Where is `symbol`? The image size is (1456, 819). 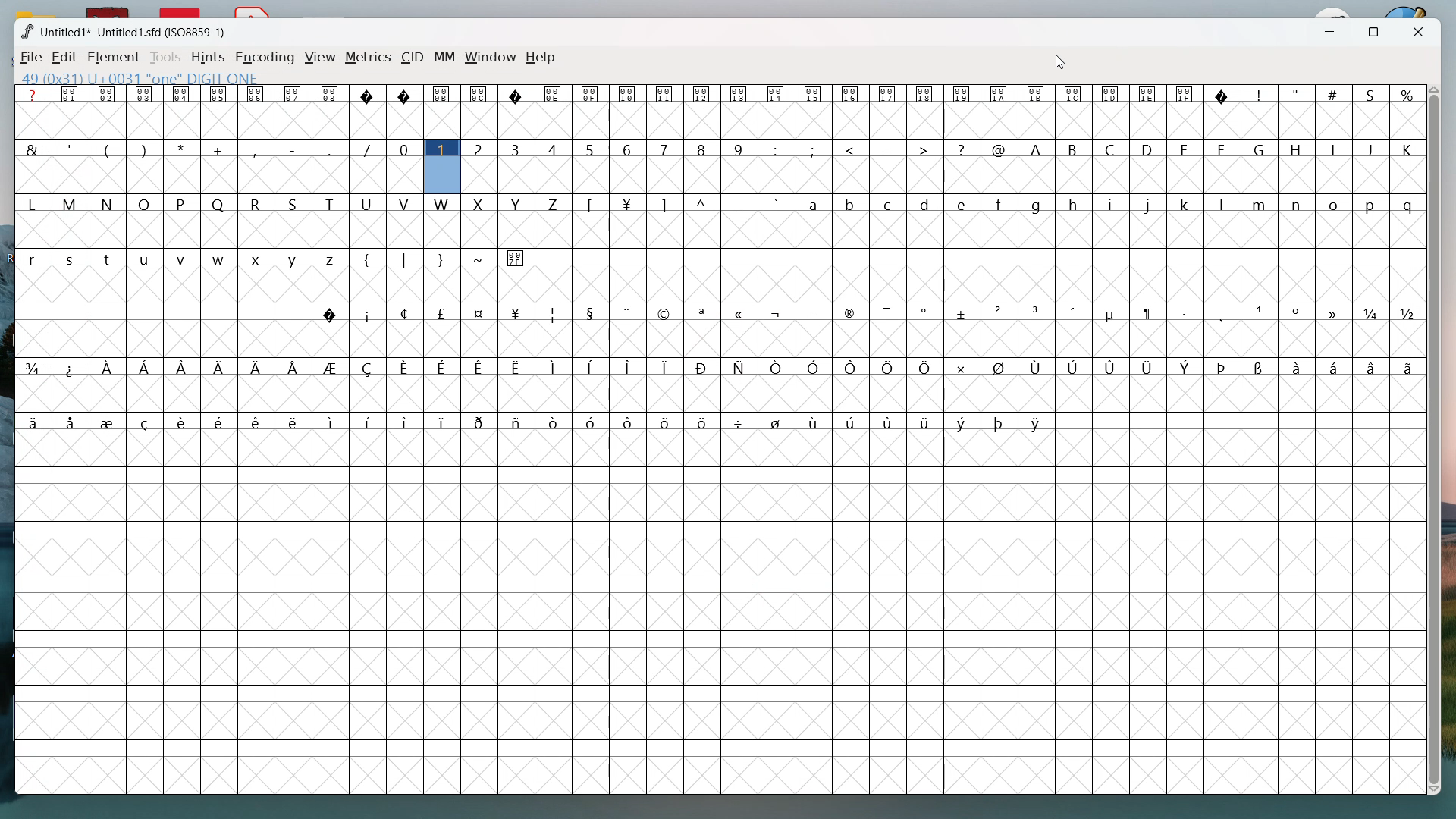 symbol is located at coordinates (408, 367).